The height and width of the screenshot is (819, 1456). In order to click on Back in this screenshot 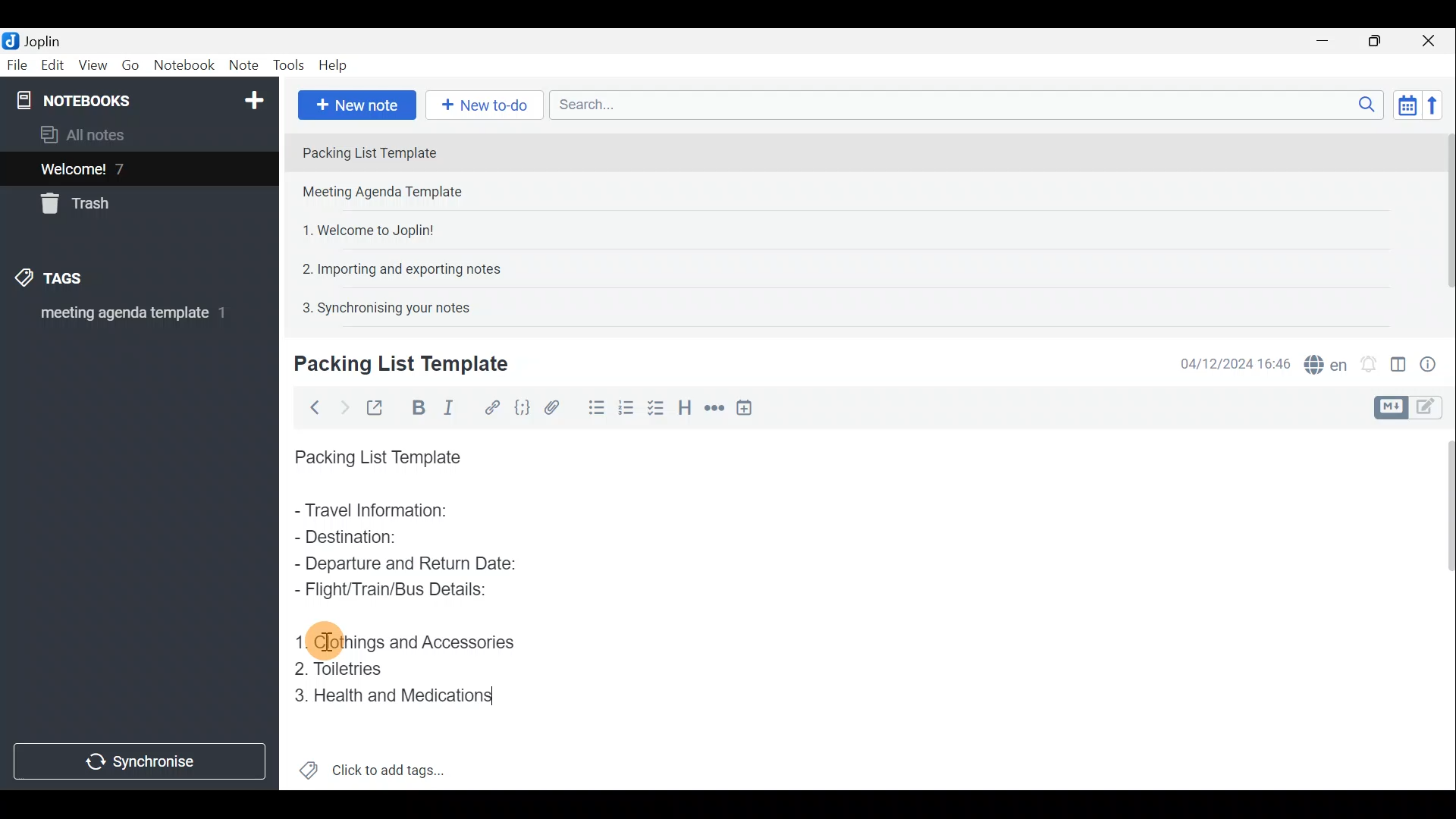, I will do `click(312, 407)`.